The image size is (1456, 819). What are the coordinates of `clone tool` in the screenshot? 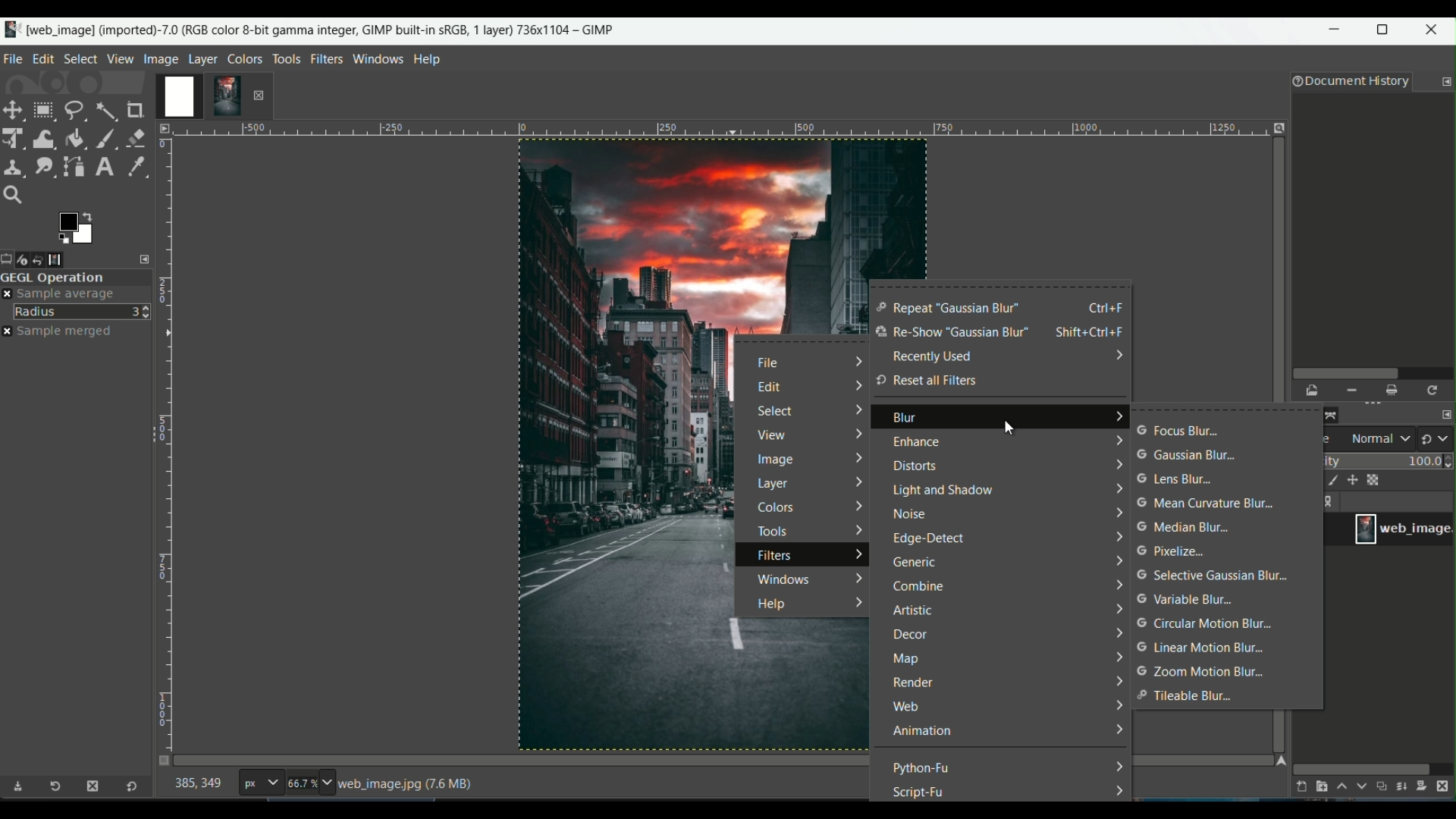 It's located at (14, 166).